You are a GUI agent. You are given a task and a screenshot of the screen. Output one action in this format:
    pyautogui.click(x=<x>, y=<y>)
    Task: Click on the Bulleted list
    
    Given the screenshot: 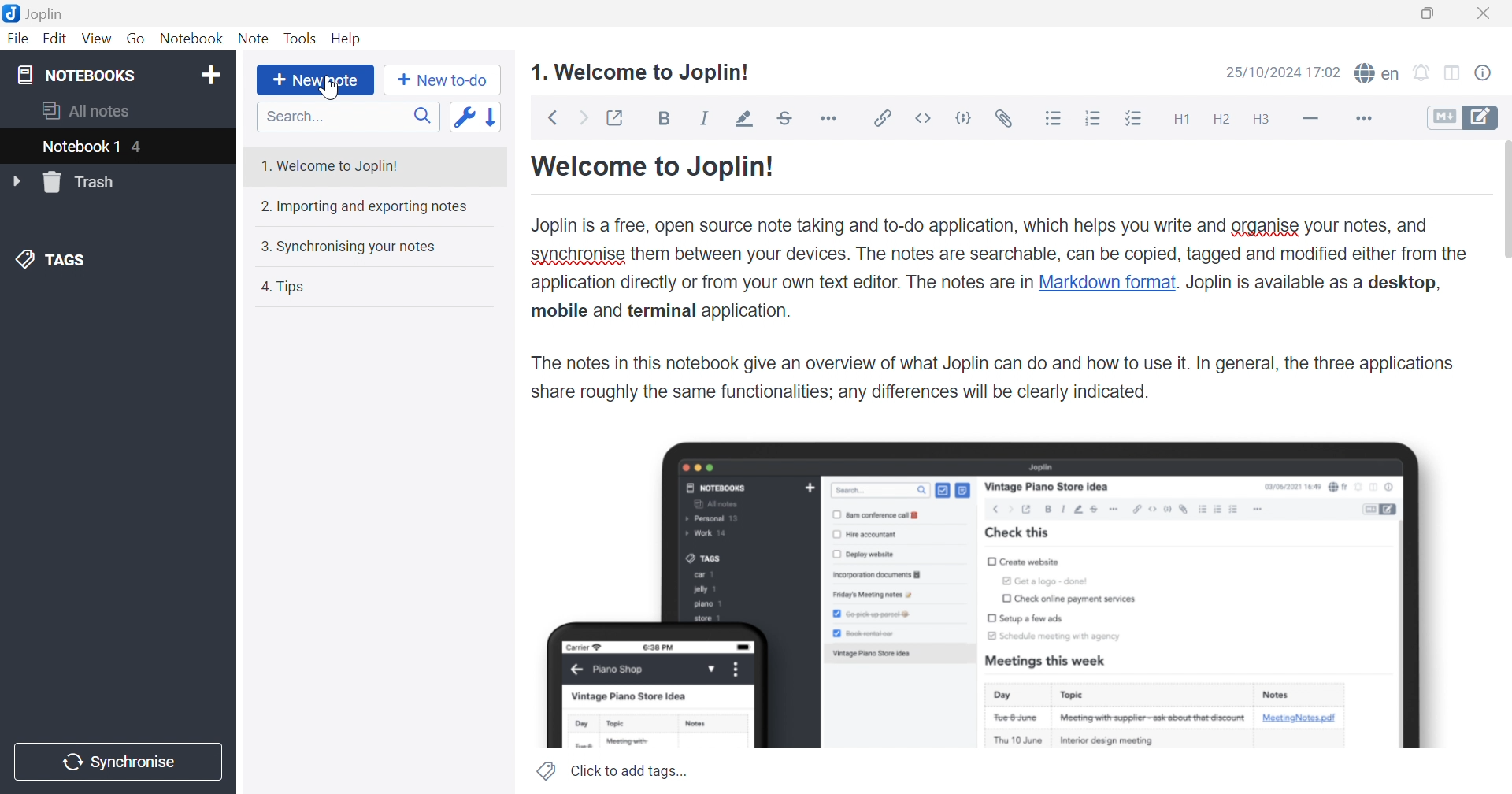 What is the action you would take?
    pyautogui.click(x=1056, y=119)
    